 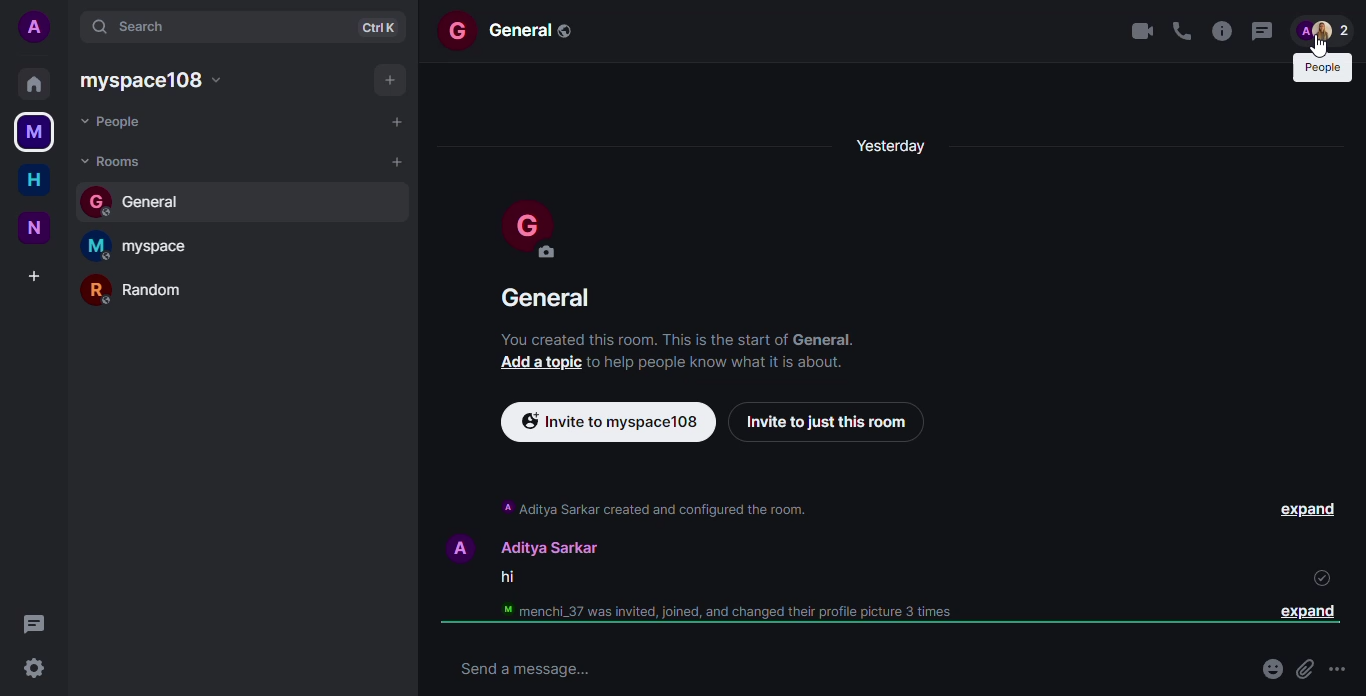 I want to click on send message, so click(x=548, y=668).